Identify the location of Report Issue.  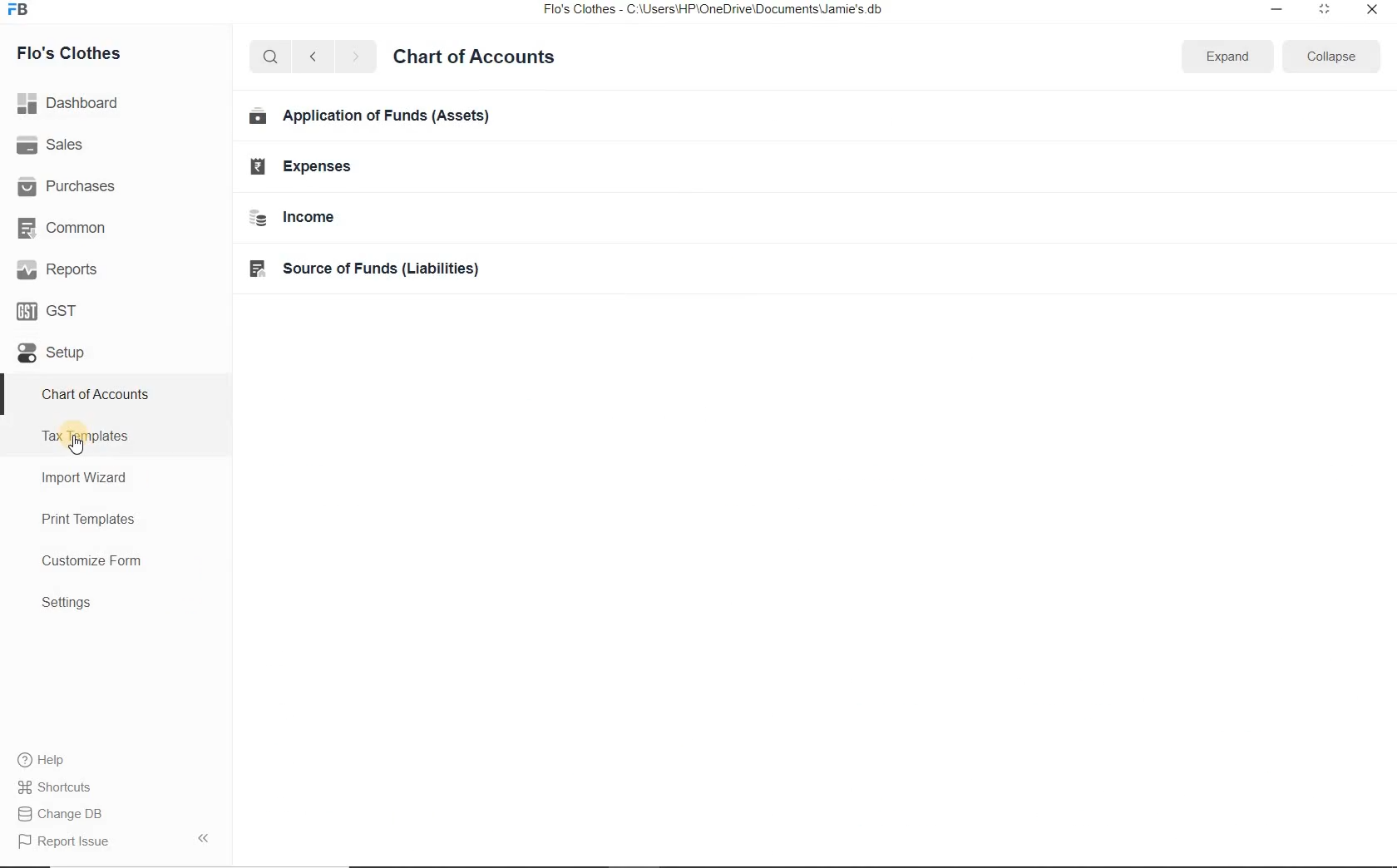
(116, 841).